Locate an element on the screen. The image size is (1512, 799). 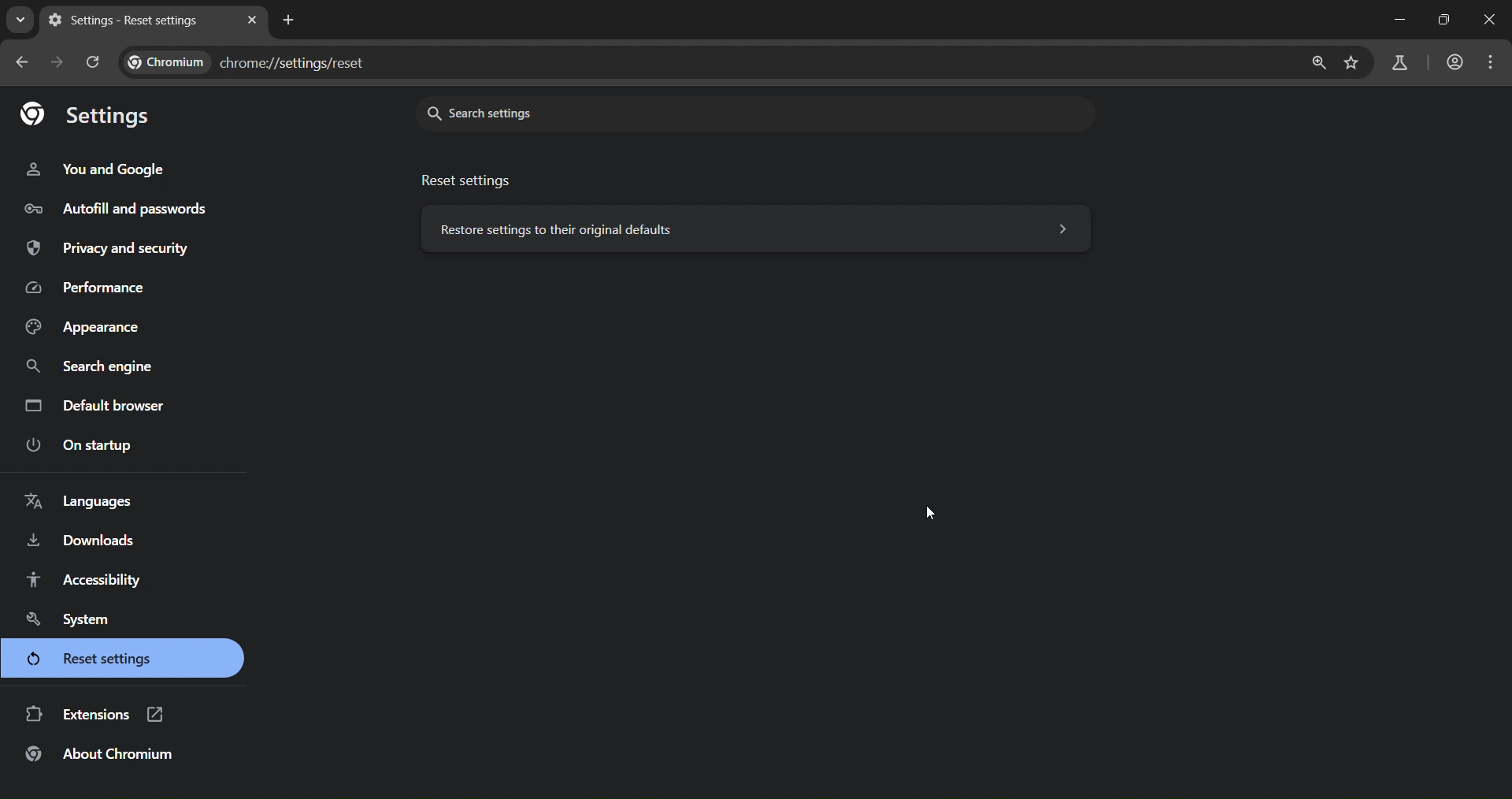
about chromium is located at coordinates (94, 755).